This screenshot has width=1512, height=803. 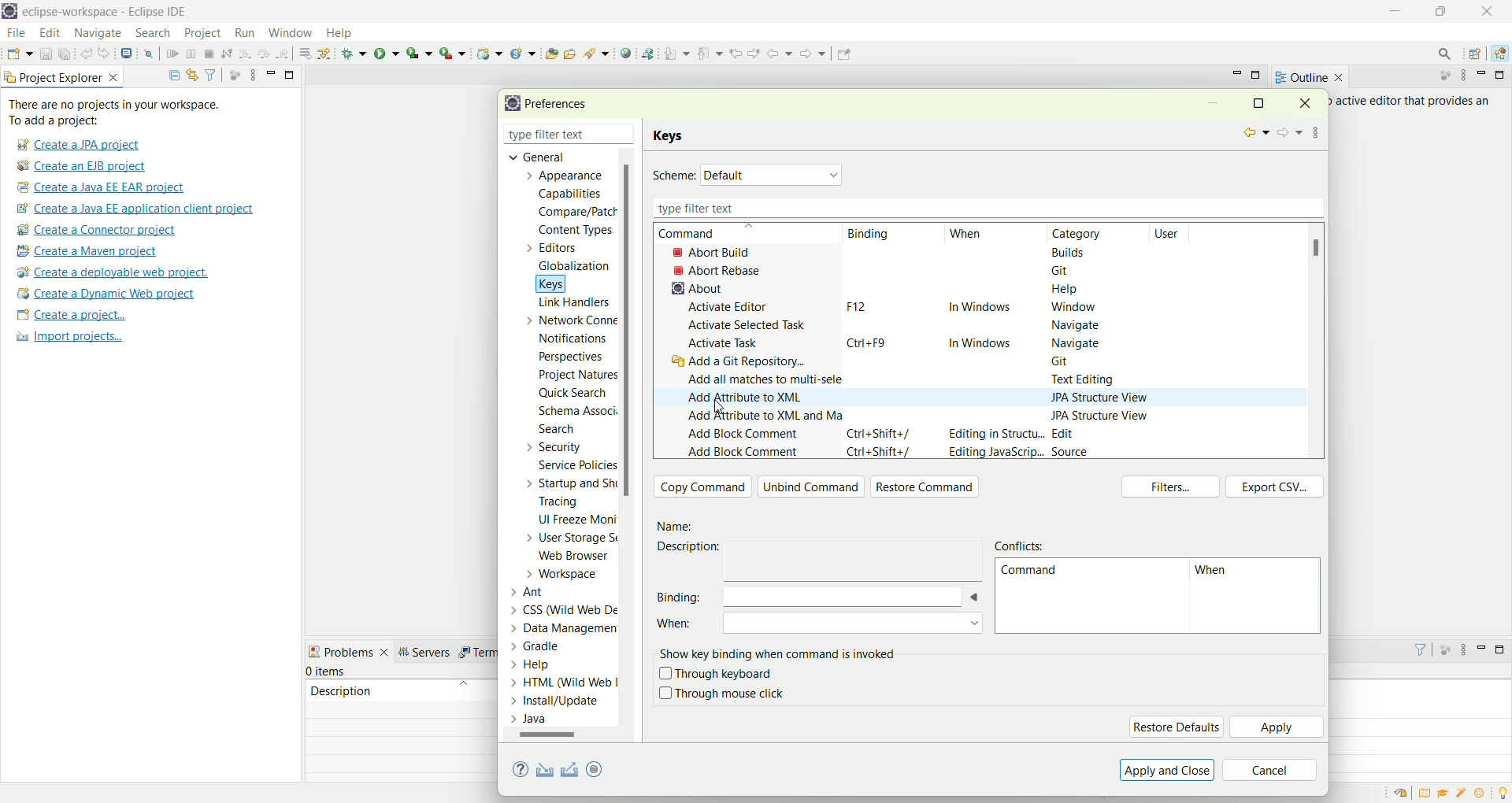 I want to click on outline, so click(x=1309, y=77).